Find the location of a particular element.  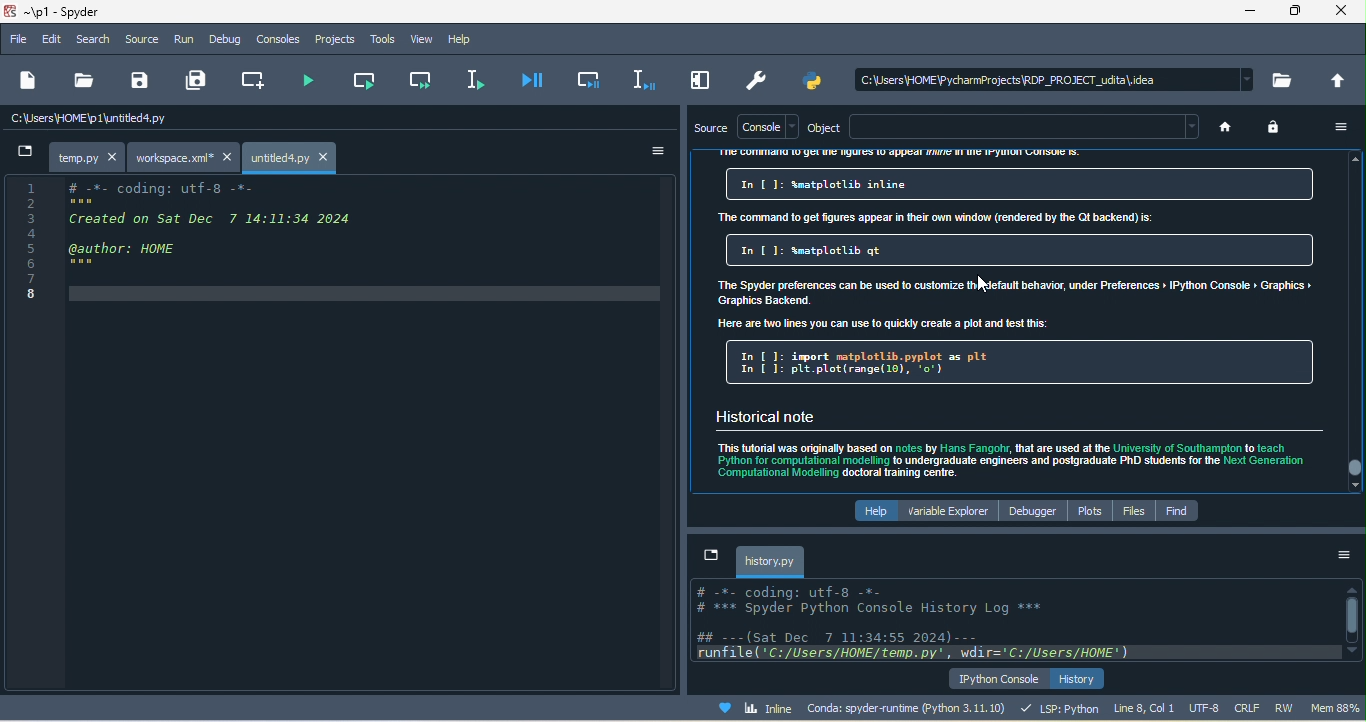

run current cell and go to the next one is located at coordinates (423, 82).